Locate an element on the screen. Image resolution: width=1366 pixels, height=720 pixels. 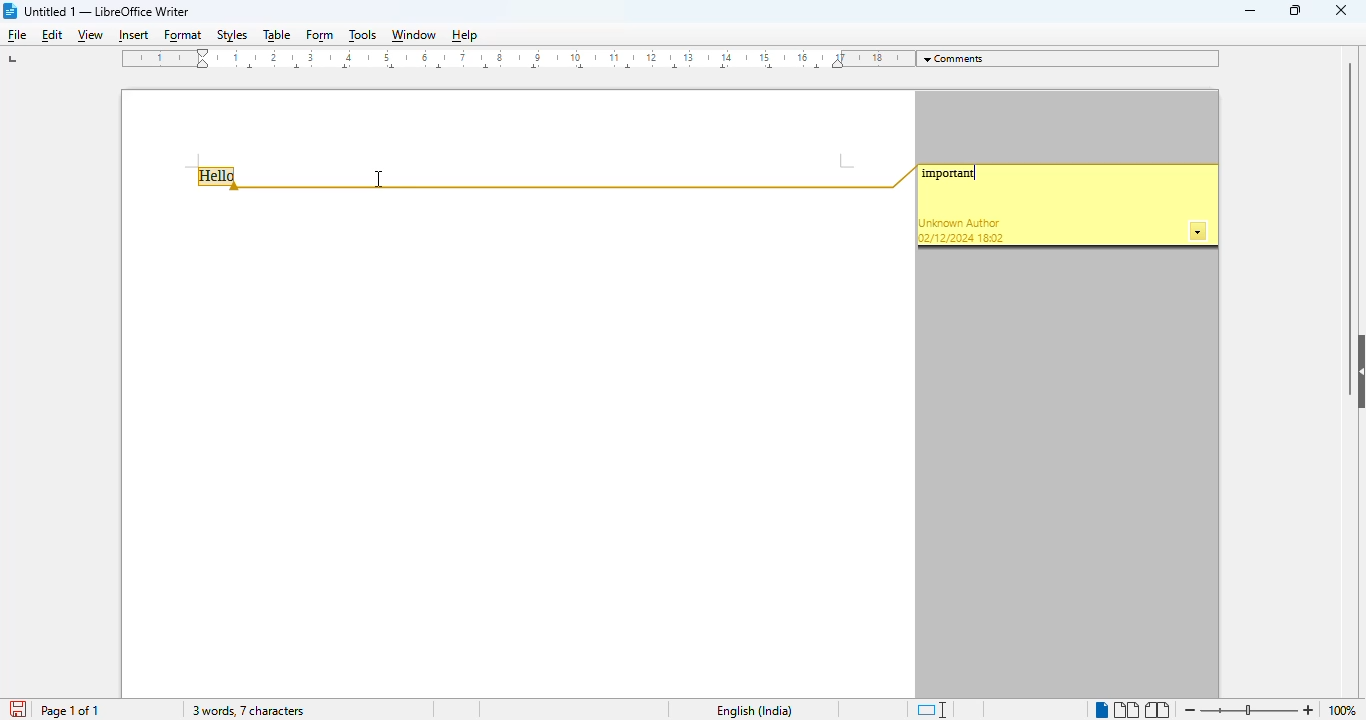
workspace is located at coordinates (515, 126).